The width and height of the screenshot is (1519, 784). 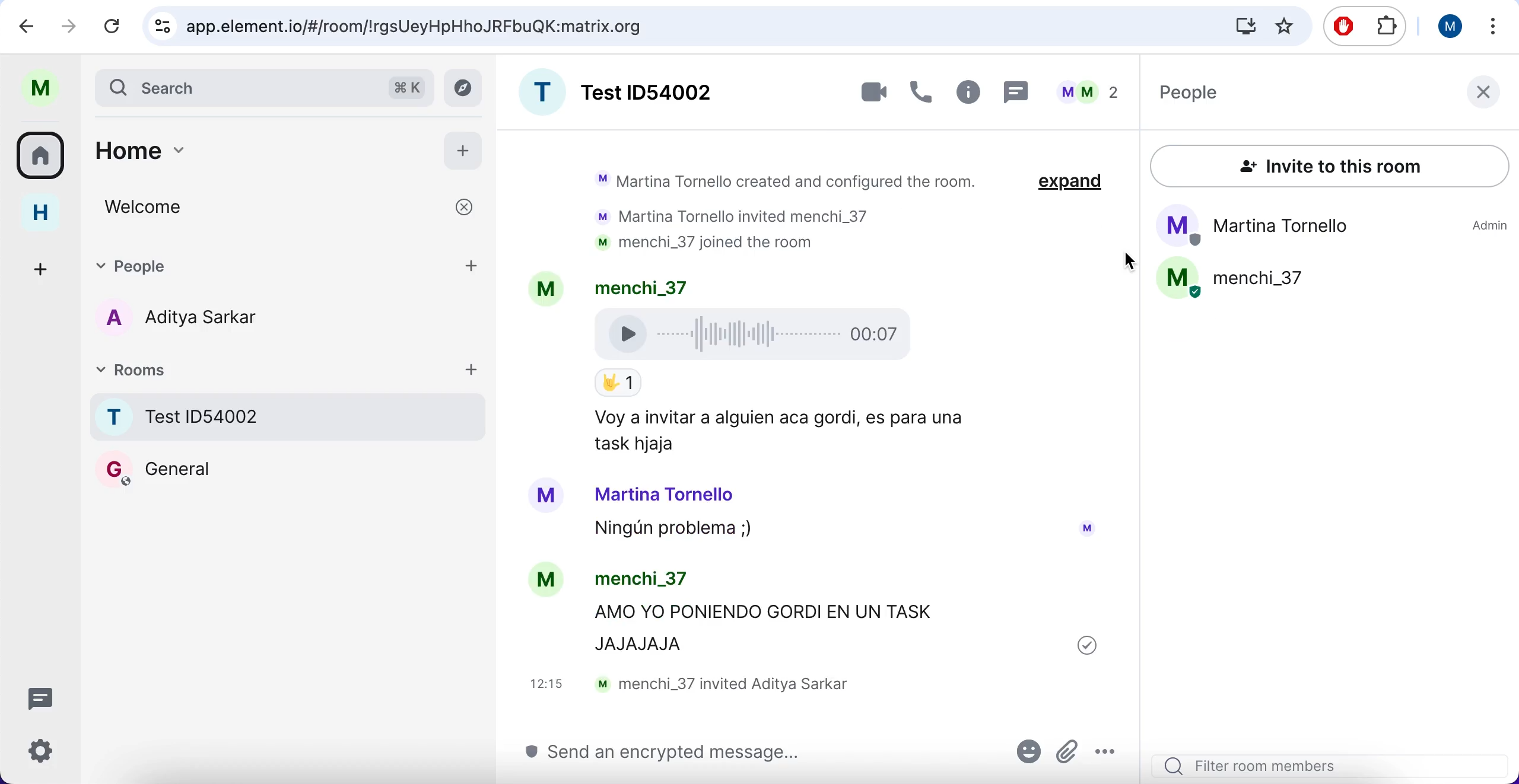 What do you see at coordinates (1332, 282) in the screenshot?
I see `People` at bounding box center [1332, 282].